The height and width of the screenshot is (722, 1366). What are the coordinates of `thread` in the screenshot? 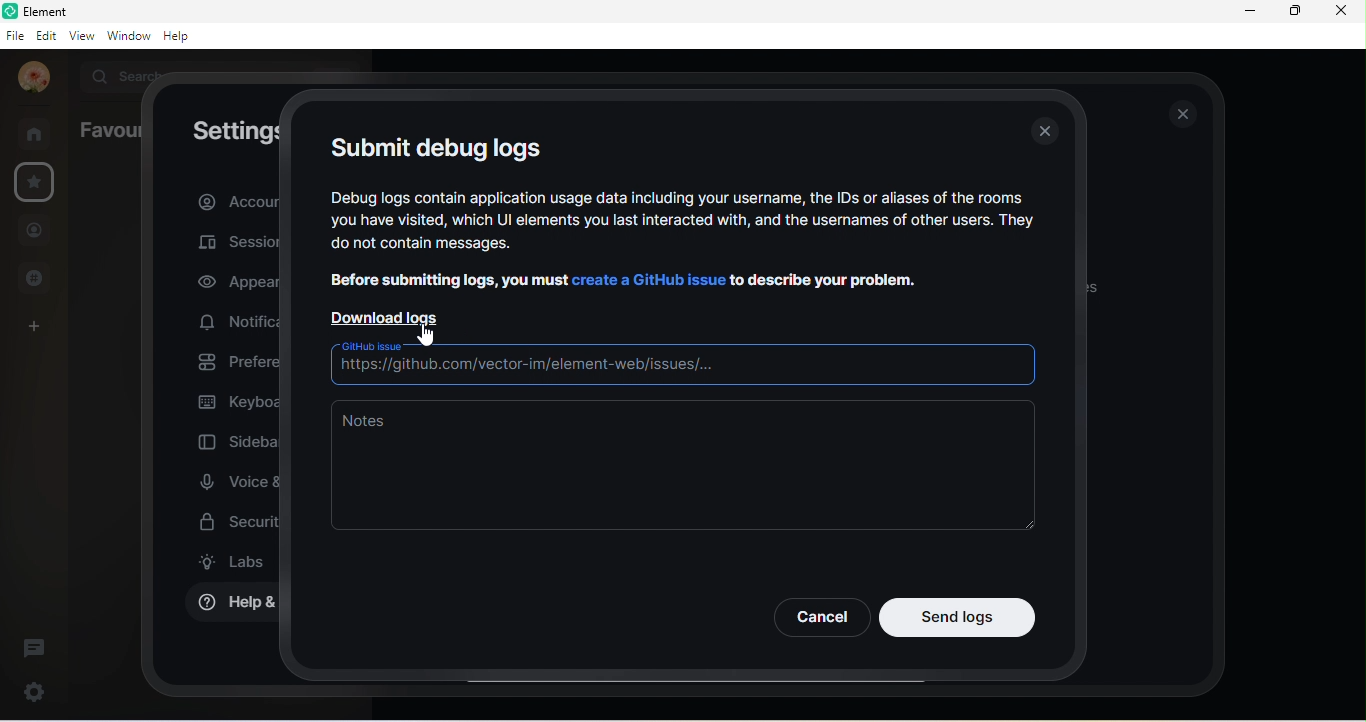 It's located at (34, 647).